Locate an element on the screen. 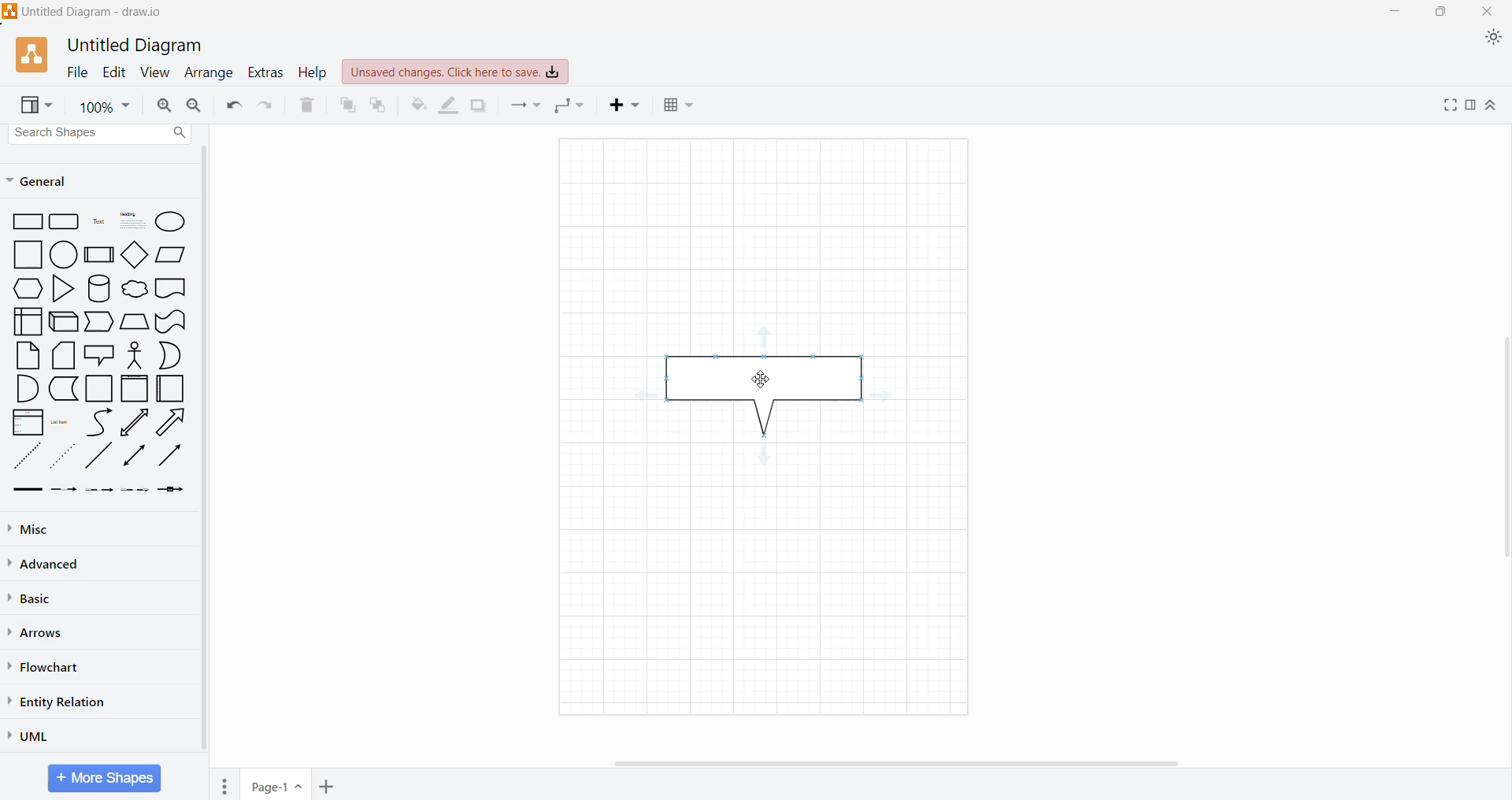 The width and height of the screenshot is (1512, 800). Horizontal scroll Bar is located at coordinates (913, 763).